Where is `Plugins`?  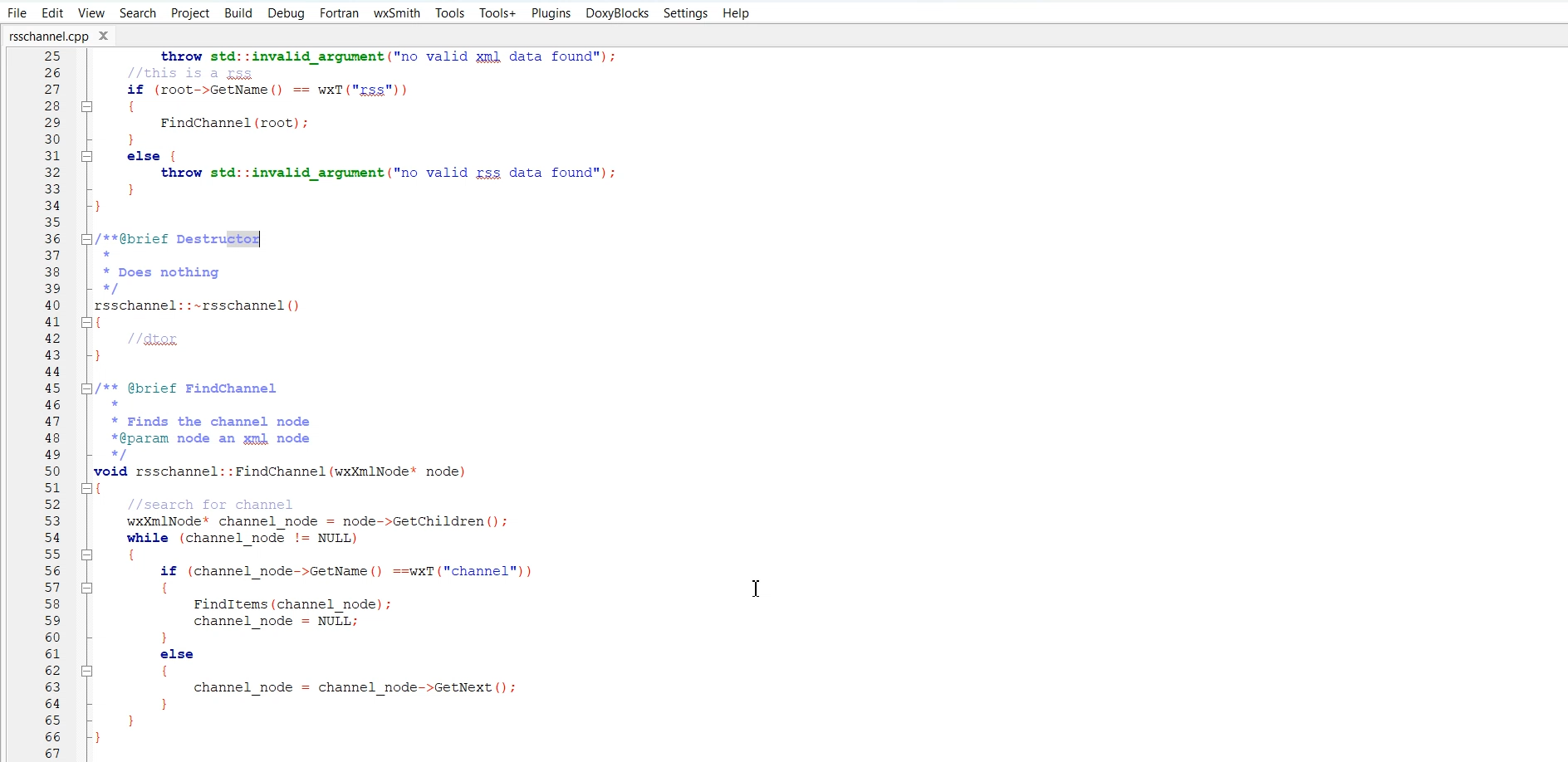 Plugins is located at coordinates (551, 12).